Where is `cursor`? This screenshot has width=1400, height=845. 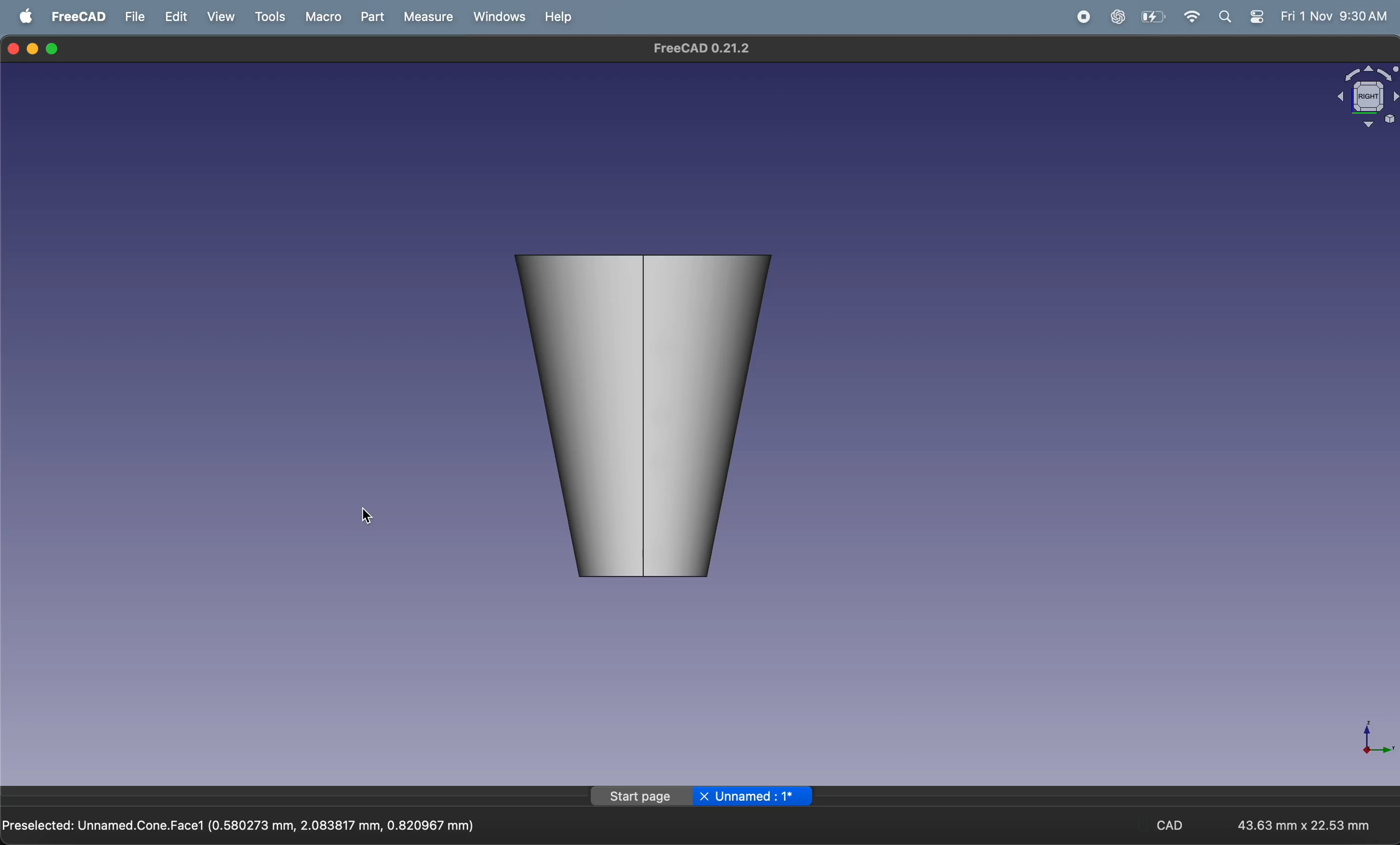
cursor is located at coordinates (368, 516).